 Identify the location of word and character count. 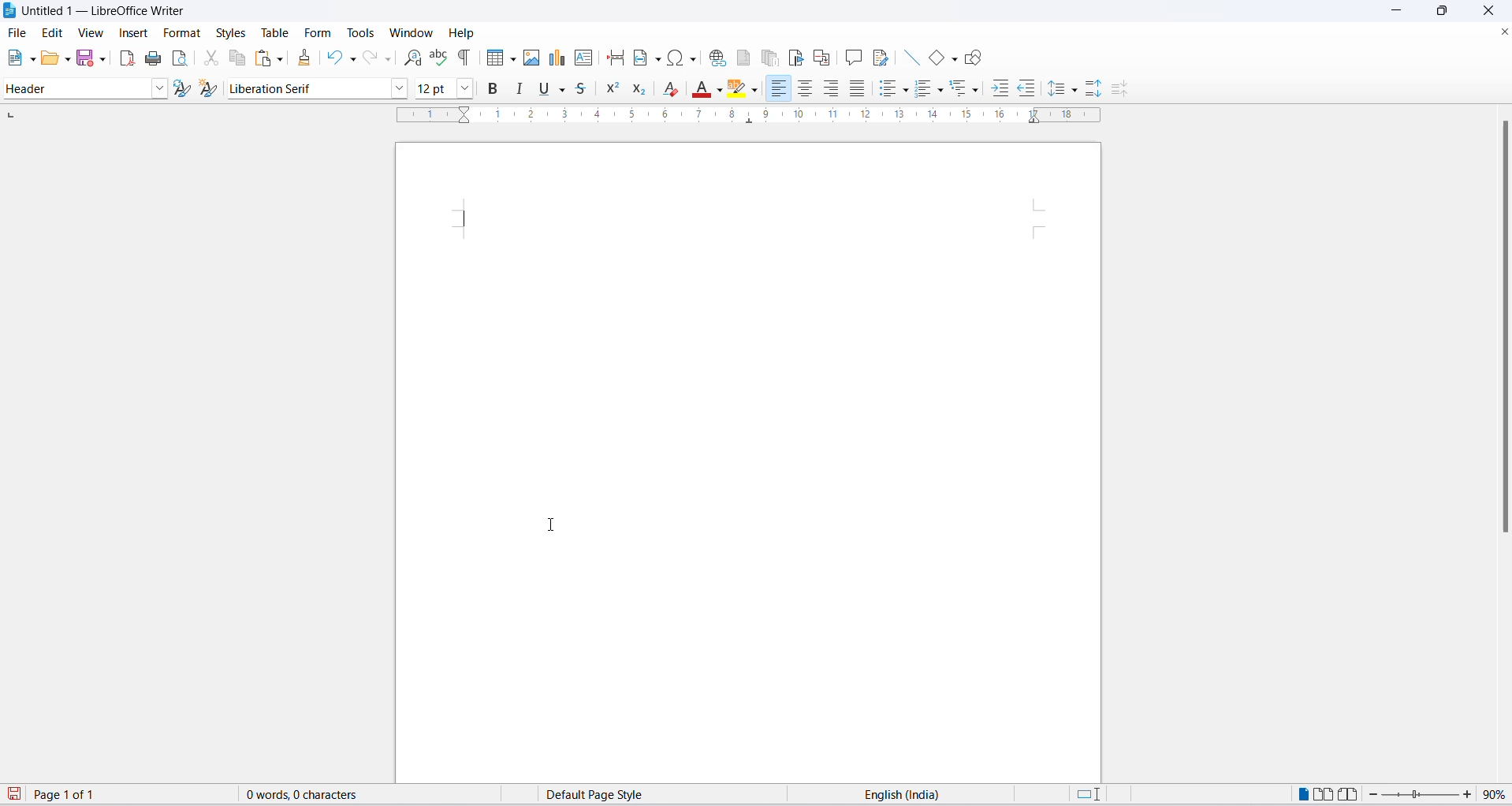
(310, 794).